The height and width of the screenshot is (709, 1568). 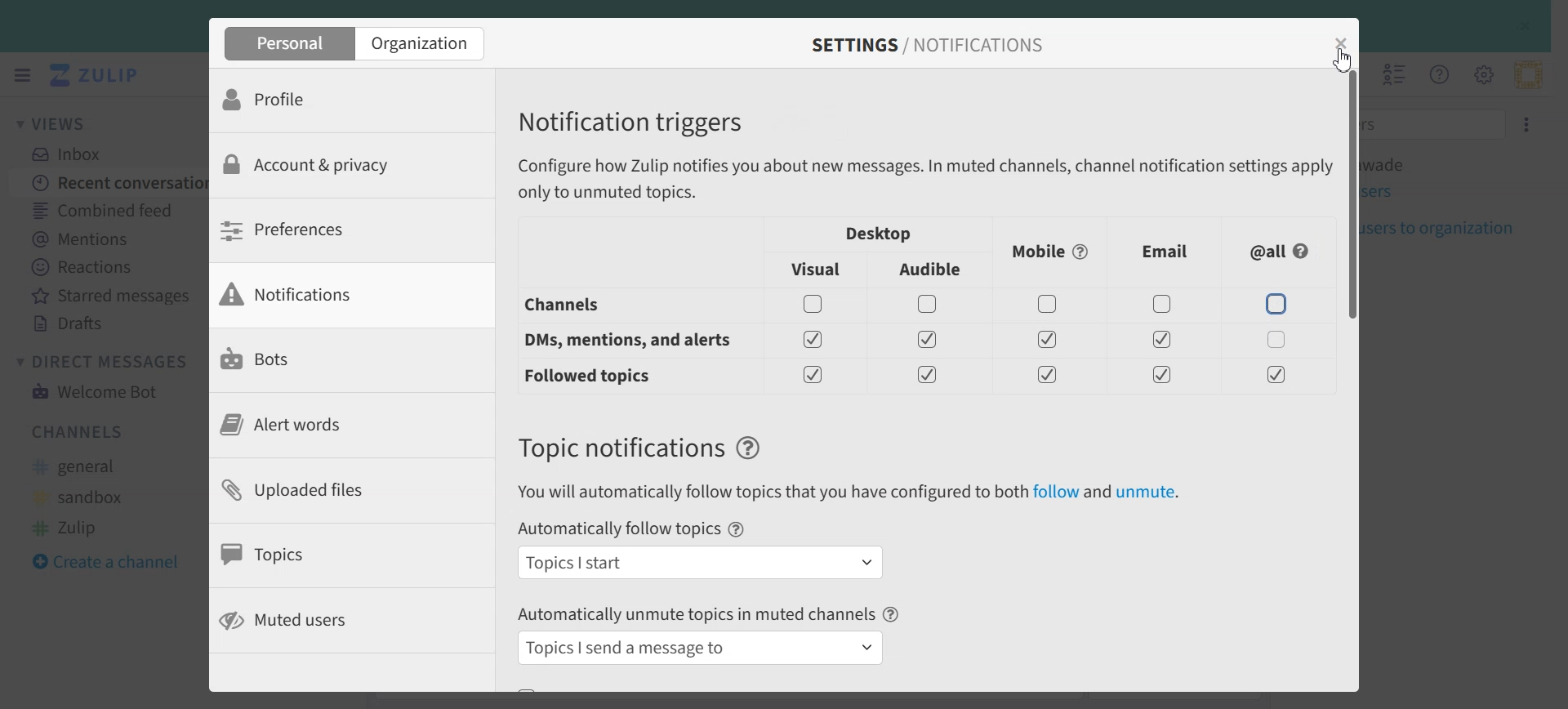 What do you see at coordinates (109, 267) in the screenshot?
I see `Reactions` at bounding box center [109, 267].